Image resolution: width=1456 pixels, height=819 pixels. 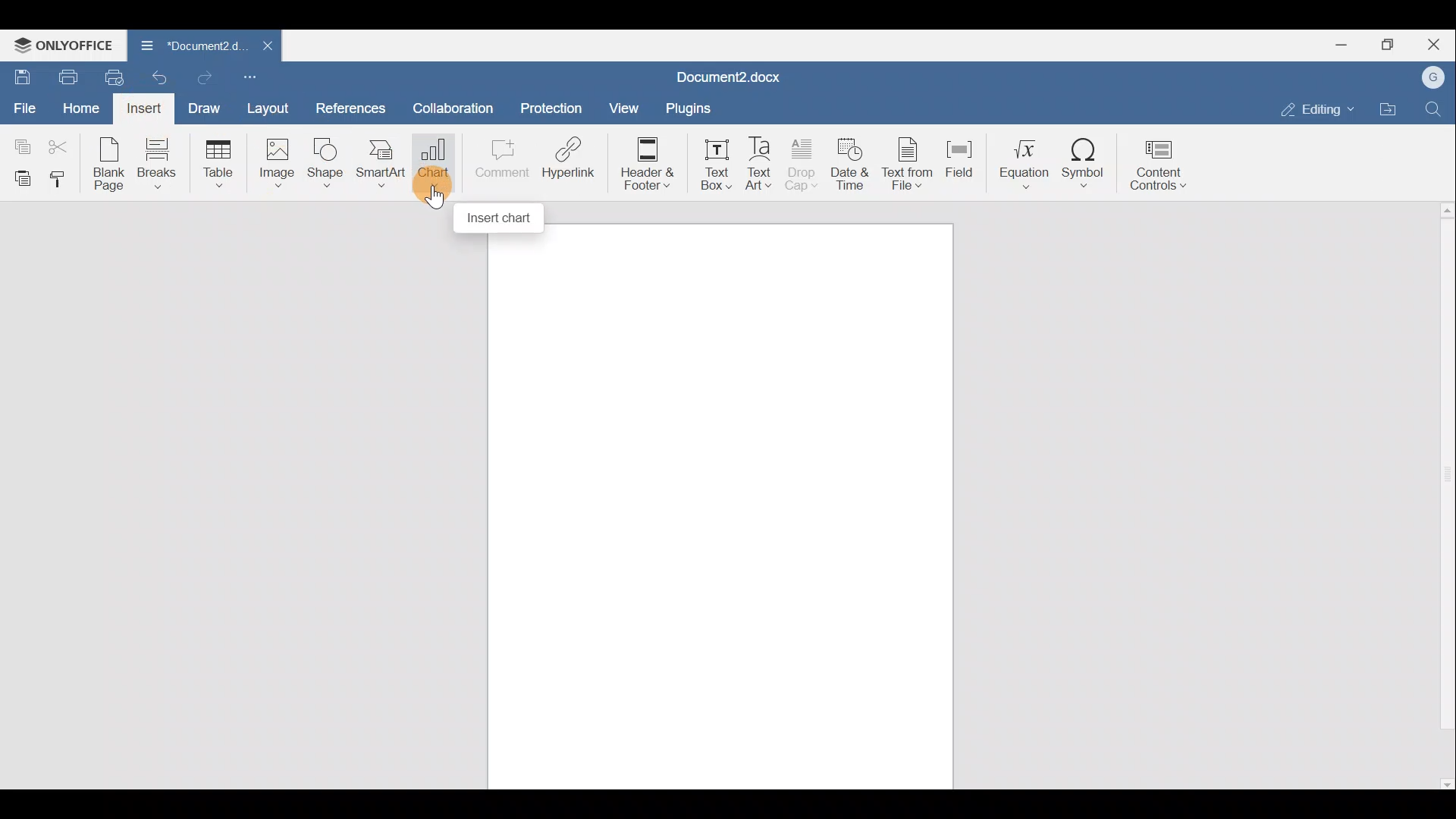 What do you see at coordinates (256, 77) in the screenshot?
I see `Customize quick access toolbar` at bounding box center [256, 77].